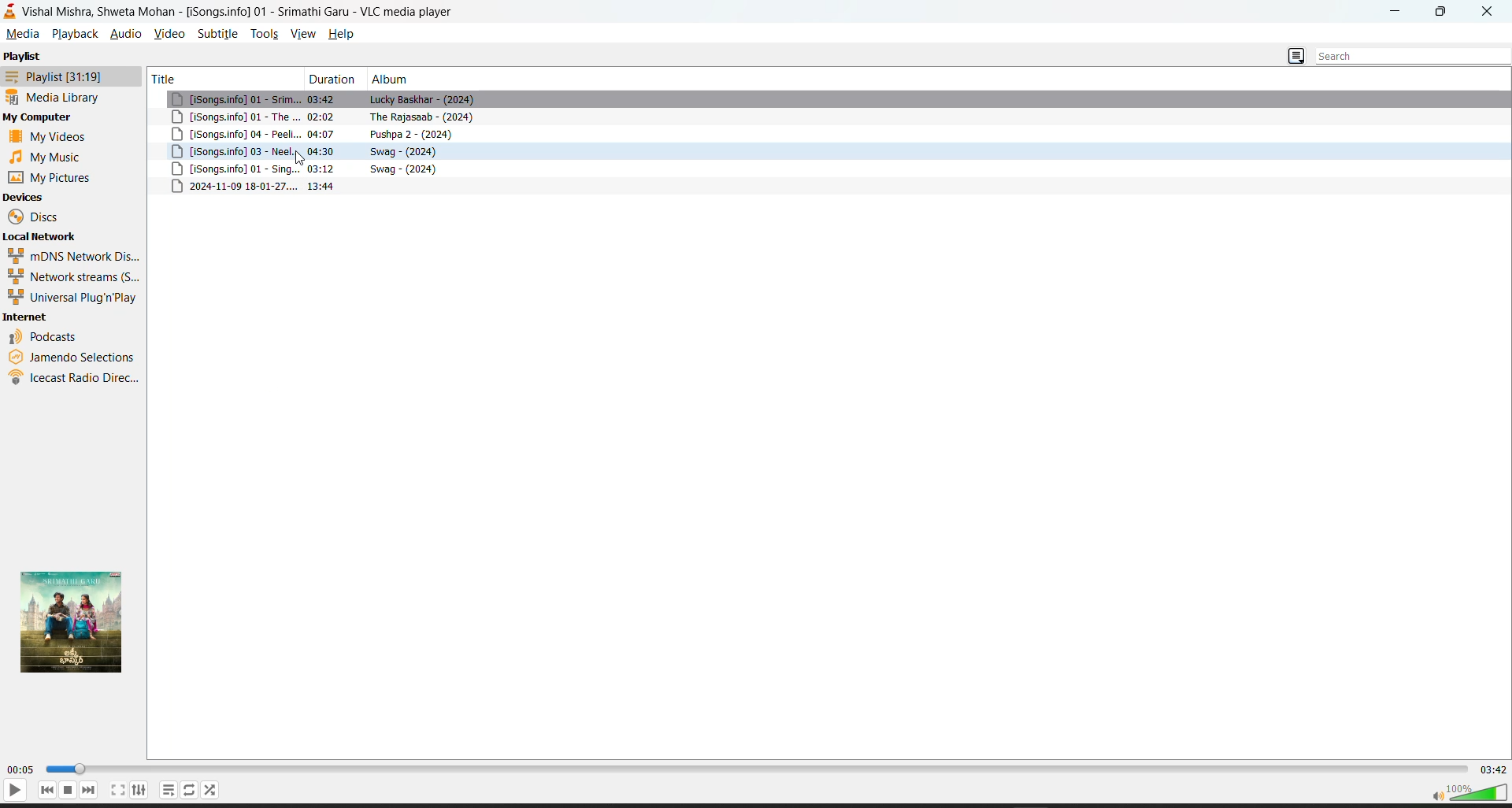  Describe the element at coordinates (1468, 791) in the screenshot. I see `volume` at that location.